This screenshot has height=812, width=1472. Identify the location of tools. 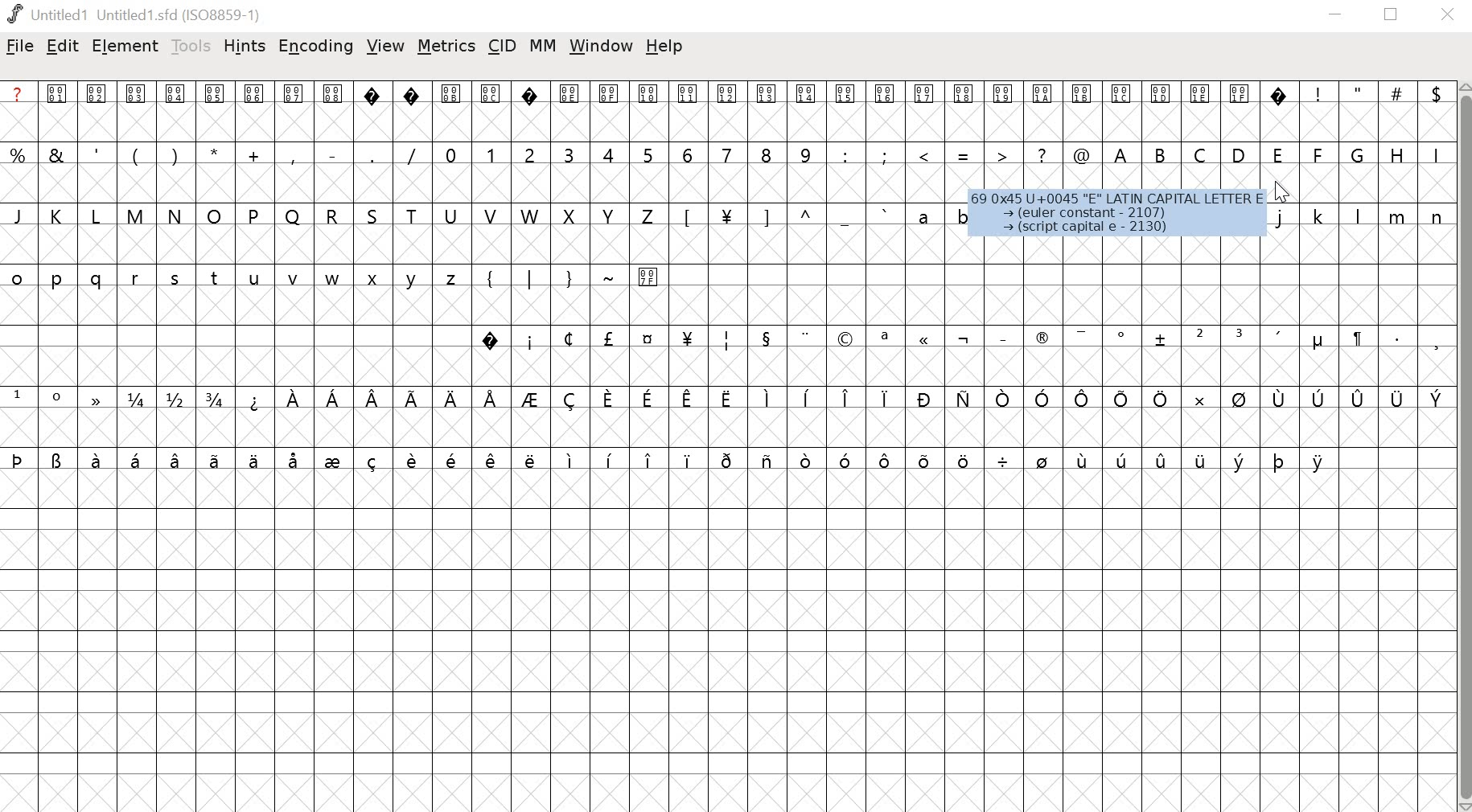
(191, 46).